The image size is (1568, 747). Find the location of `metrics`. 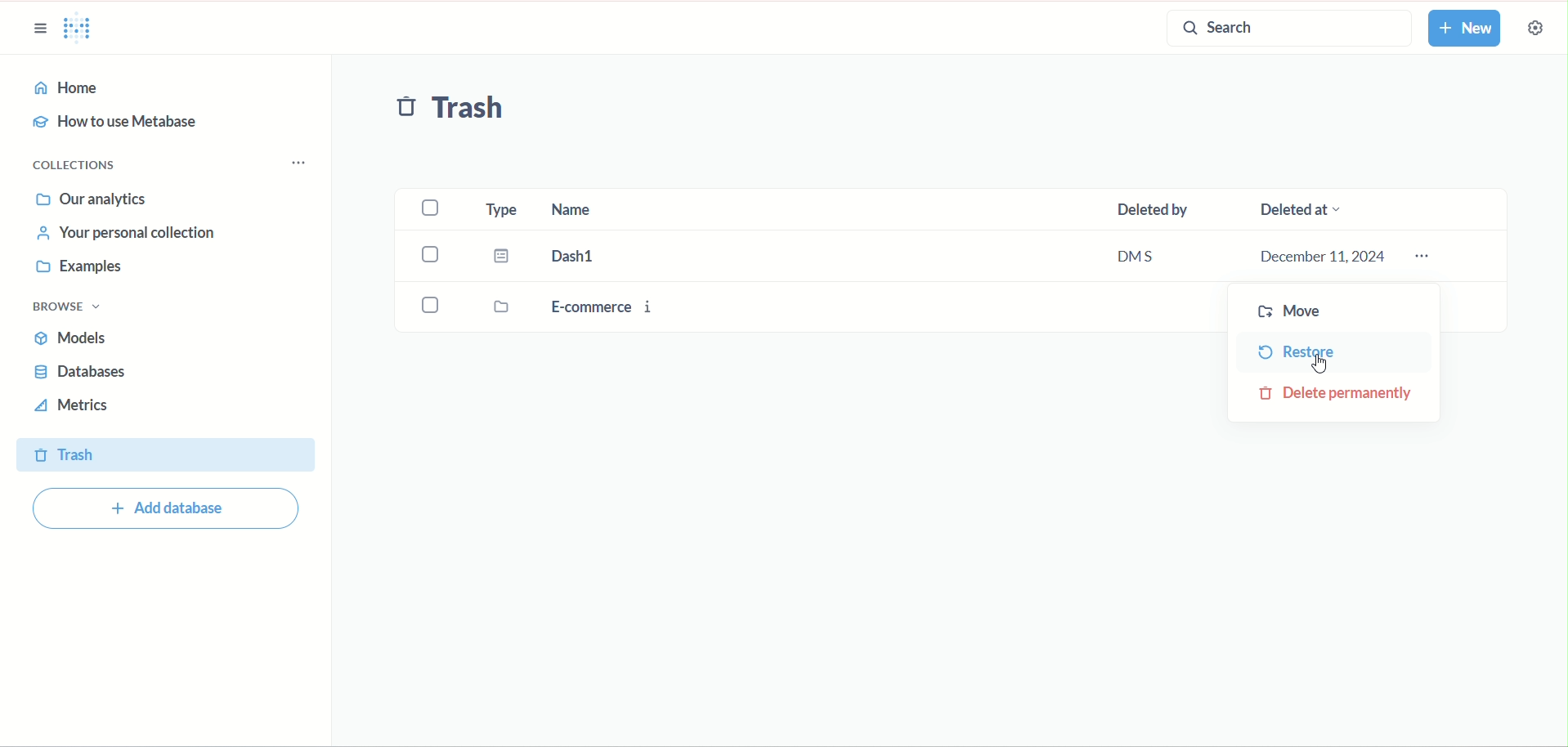

metrics is located at coordinates (78, 406).